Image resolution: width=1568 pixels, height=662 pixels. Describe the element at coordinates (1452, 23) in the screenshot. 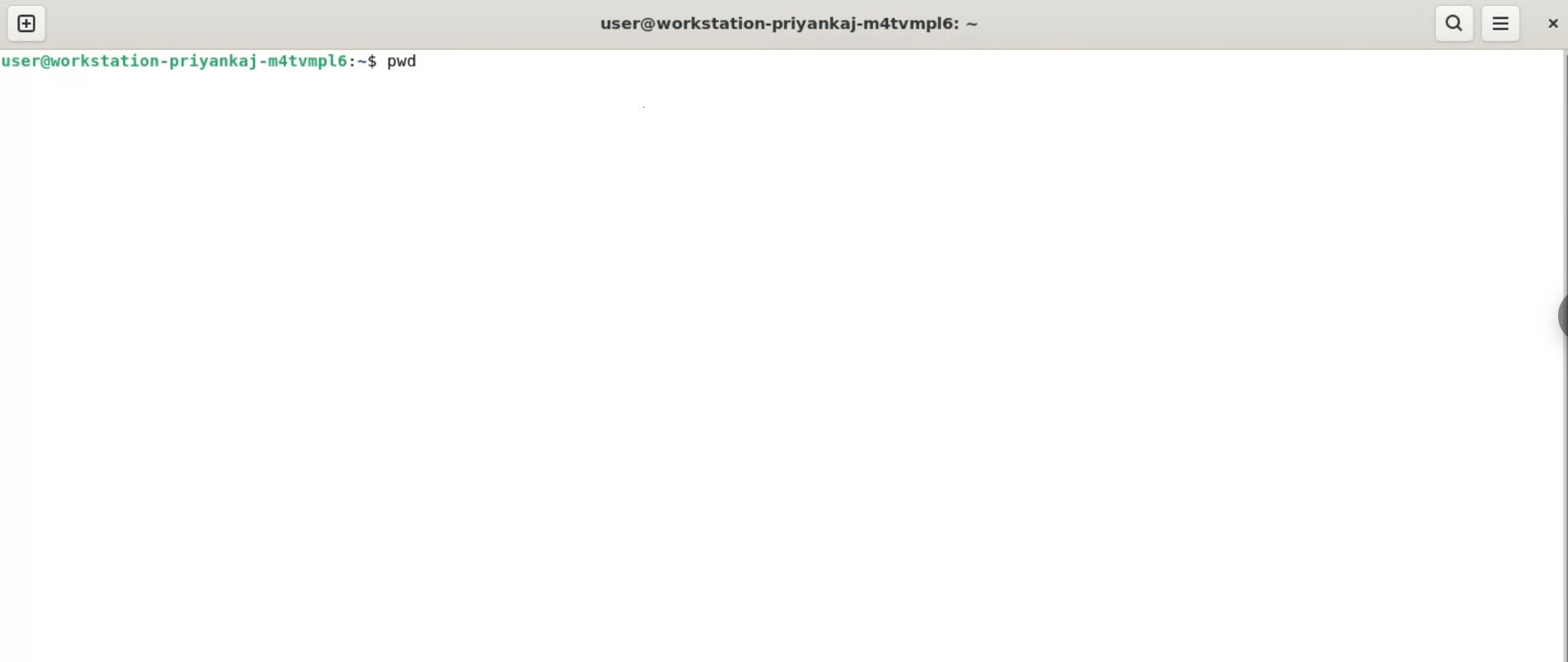

I see `search` at that location.